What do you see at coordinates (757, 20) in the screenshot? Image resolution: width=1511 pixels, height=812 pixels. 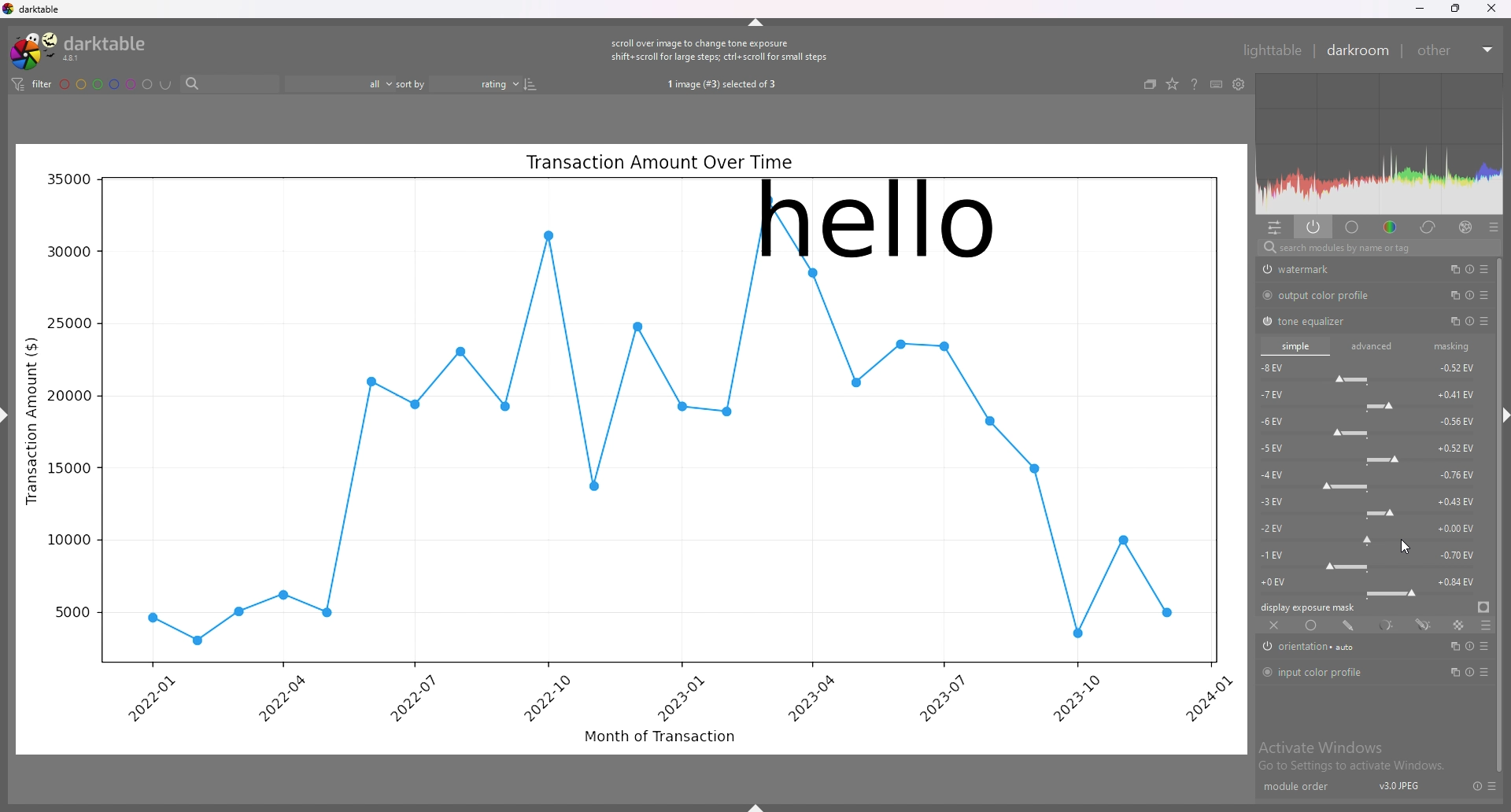 I see `hide` at bounding box center [757, 20].